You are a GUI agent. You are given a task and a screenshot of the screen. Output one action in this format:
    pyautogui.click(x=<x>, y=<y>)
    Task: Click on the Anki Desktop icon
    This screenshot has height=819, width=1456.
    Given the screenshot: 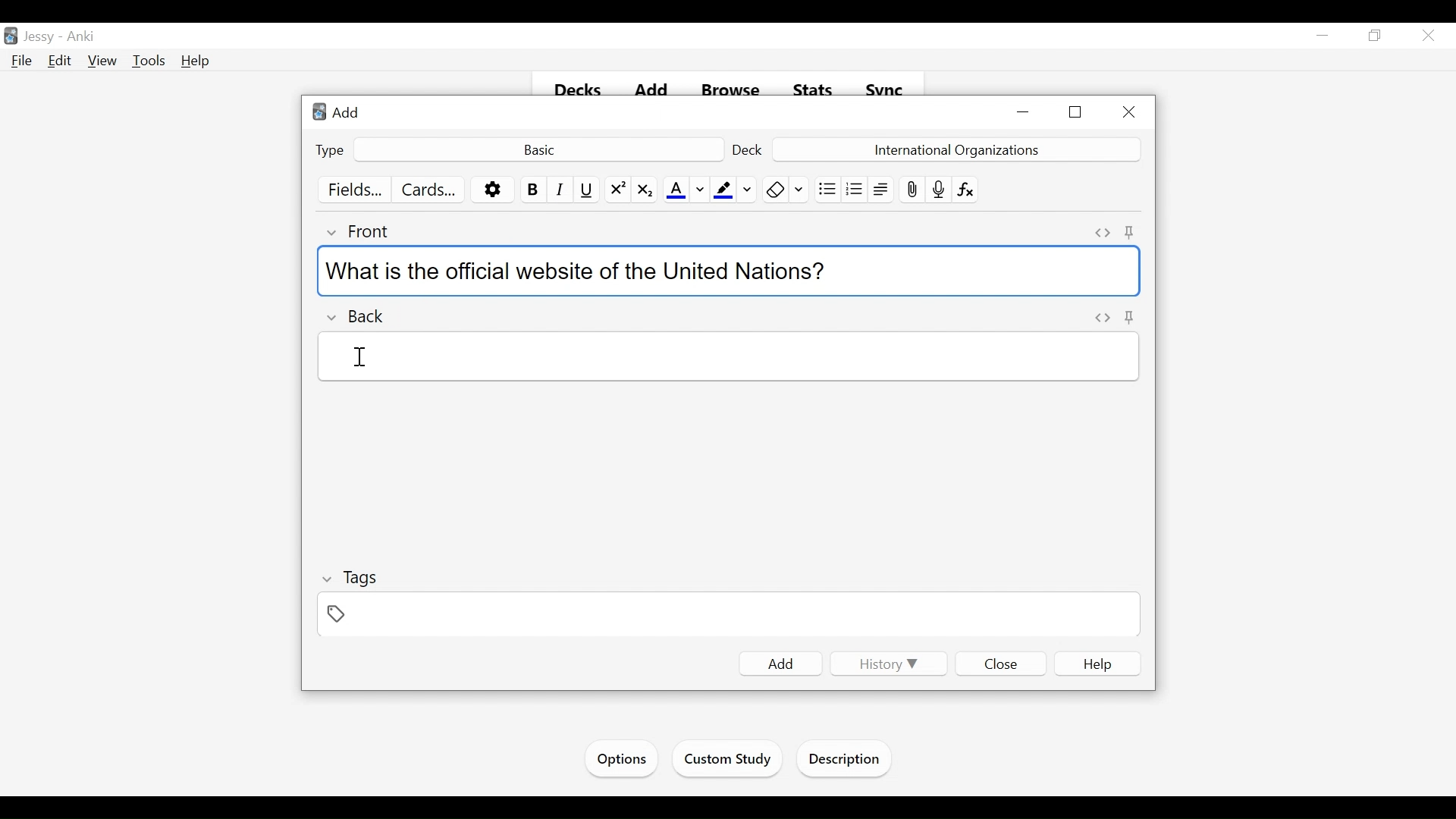 What is the action you would take?
    pyautogui.click(x=11, y=37)
    